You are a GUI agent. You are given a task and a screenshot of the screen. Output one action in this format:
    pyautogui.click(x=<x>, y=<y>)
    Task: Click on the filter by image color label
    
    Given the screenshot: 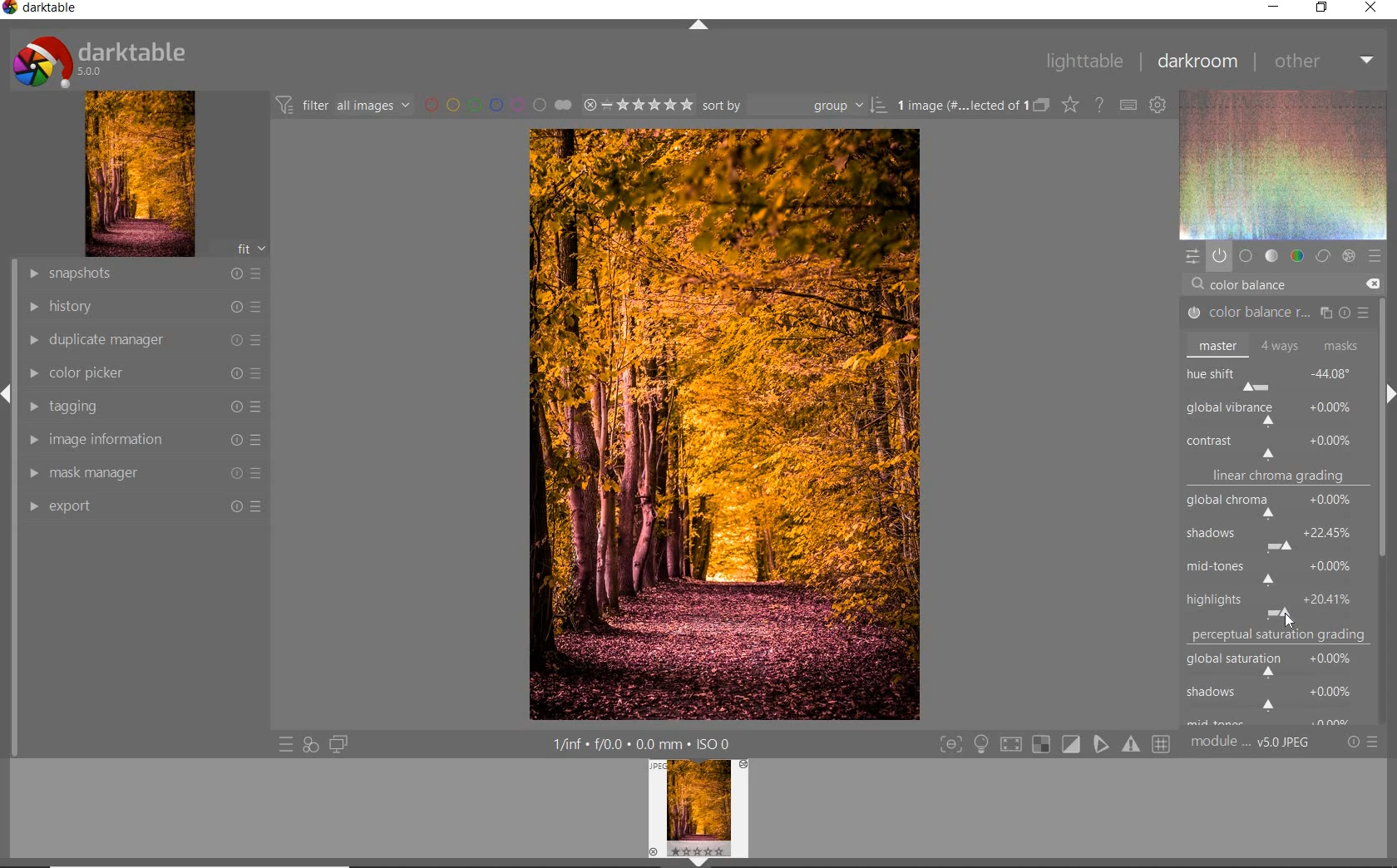 What is the action you would take?
    pyautogui.click(x=496, y=105)
    